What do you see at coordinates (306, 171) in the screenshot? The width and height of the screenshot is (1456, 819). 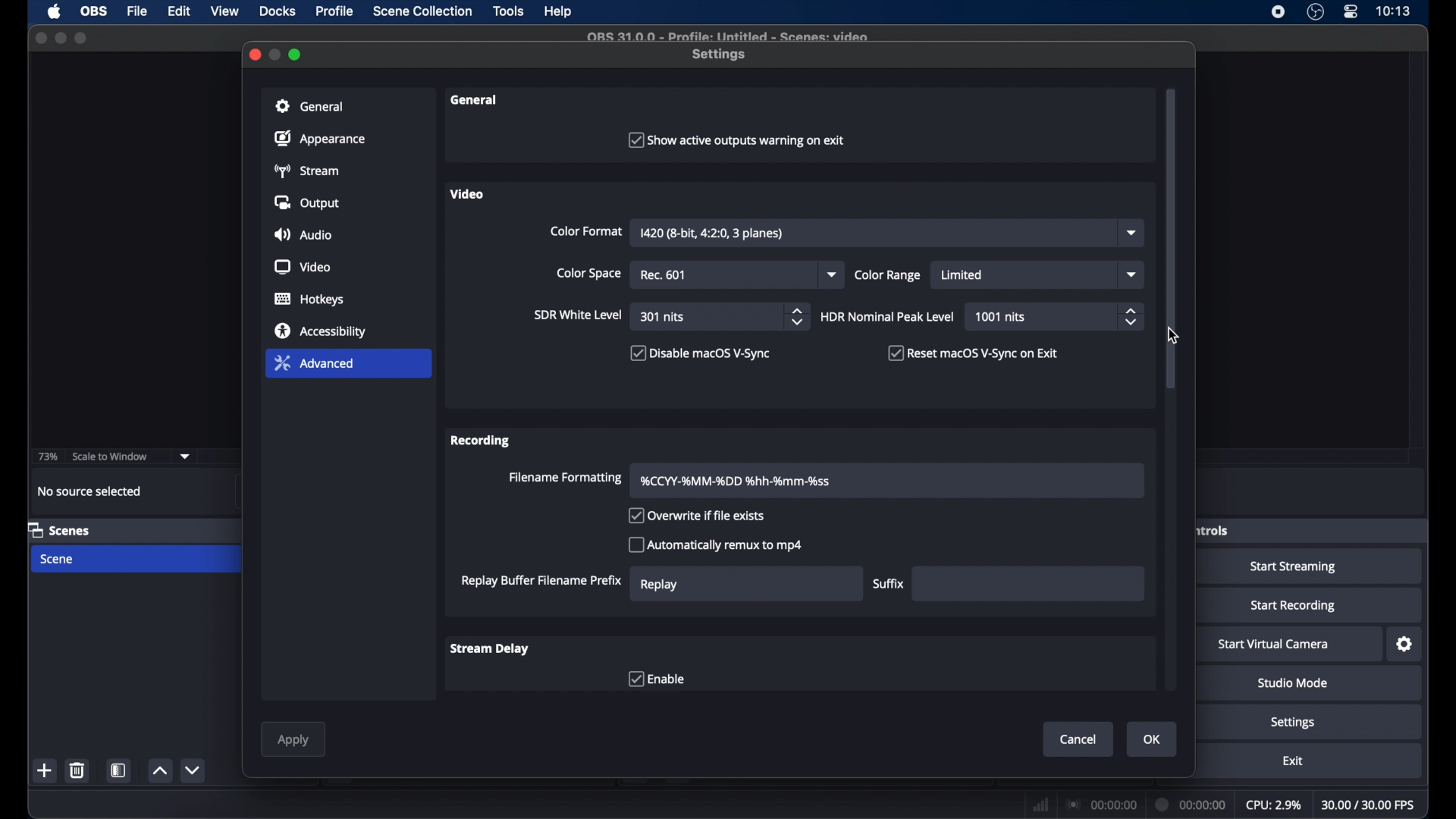 I see `stream` at bounding box center [306, 171].